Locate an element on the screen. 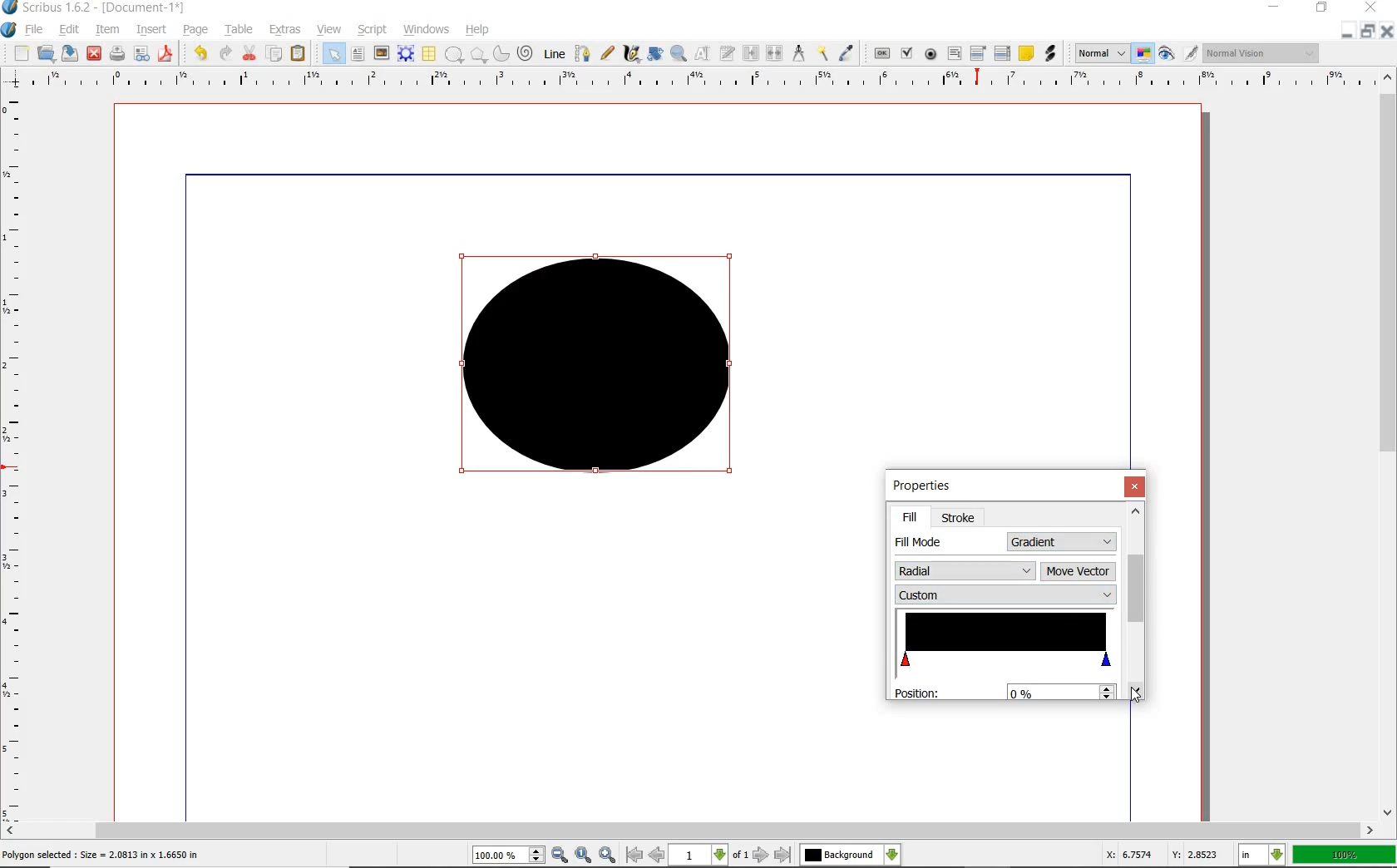 Image resolution: width=1397 pixels, height=868 pixels. MEASUREMENTS is located at coordinates (798, 54).